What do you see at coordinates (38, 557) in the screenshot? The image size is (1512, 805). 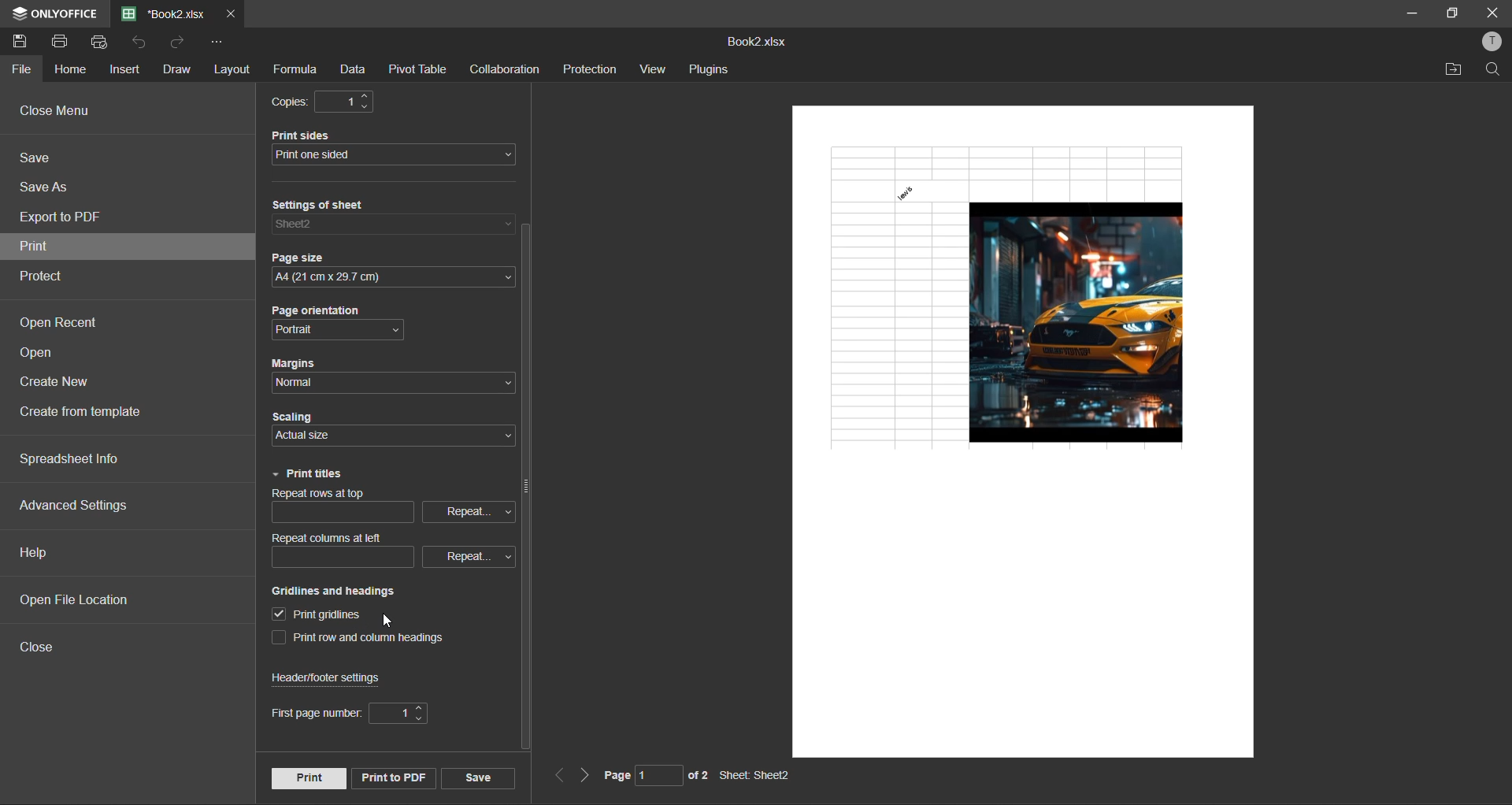 I see `help` at bounding box center [38, 557].